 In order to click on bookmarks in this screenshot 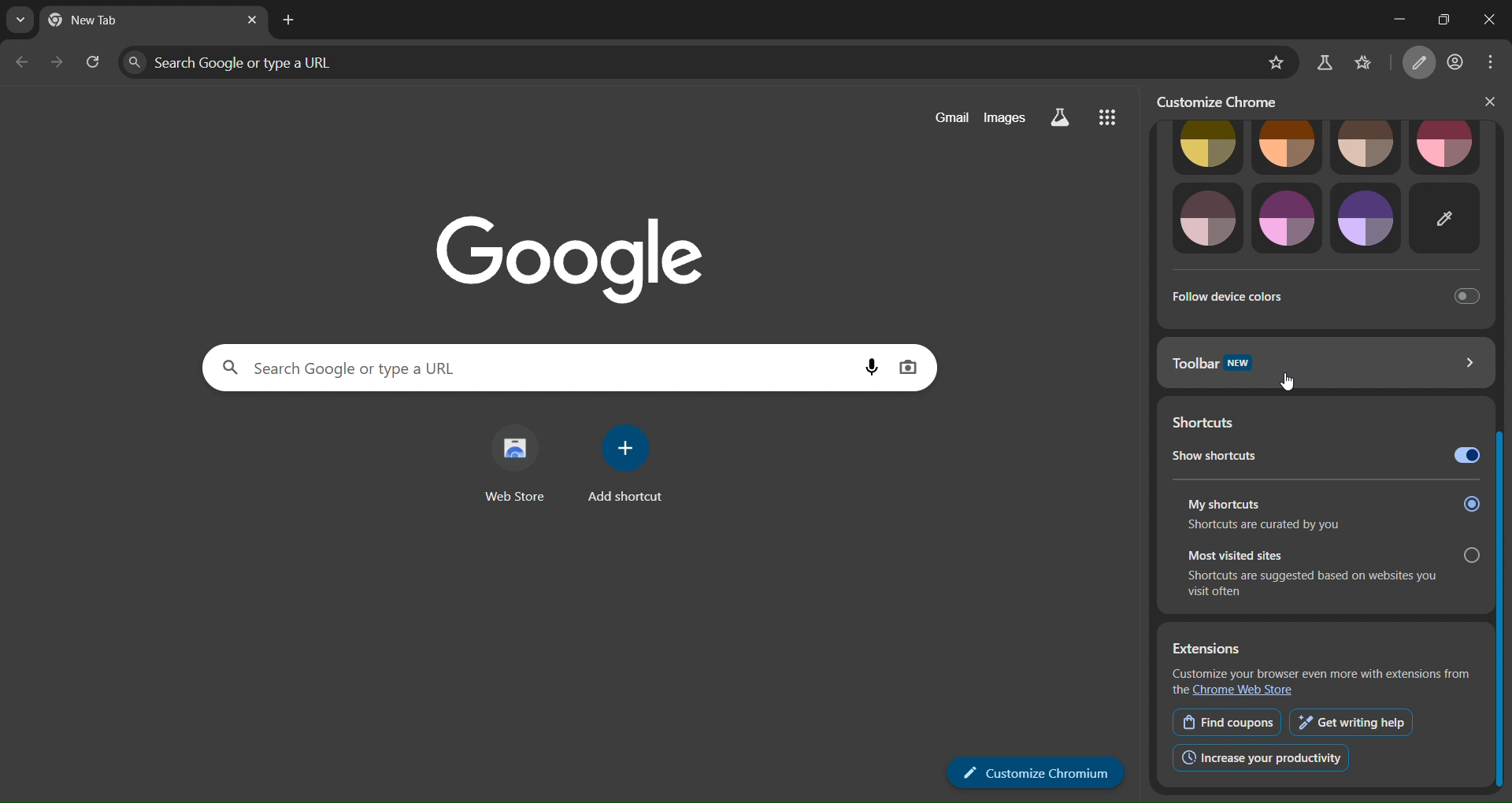, I will do `click(1373, 61)`.